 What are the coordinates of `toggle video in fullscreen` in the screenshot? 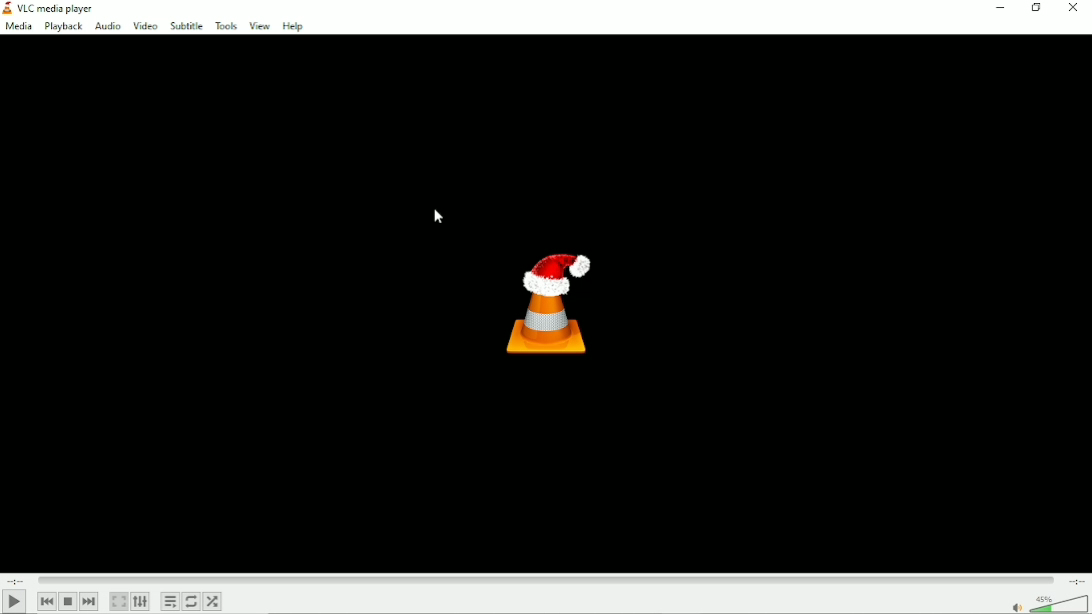 It's located at (118, 602).